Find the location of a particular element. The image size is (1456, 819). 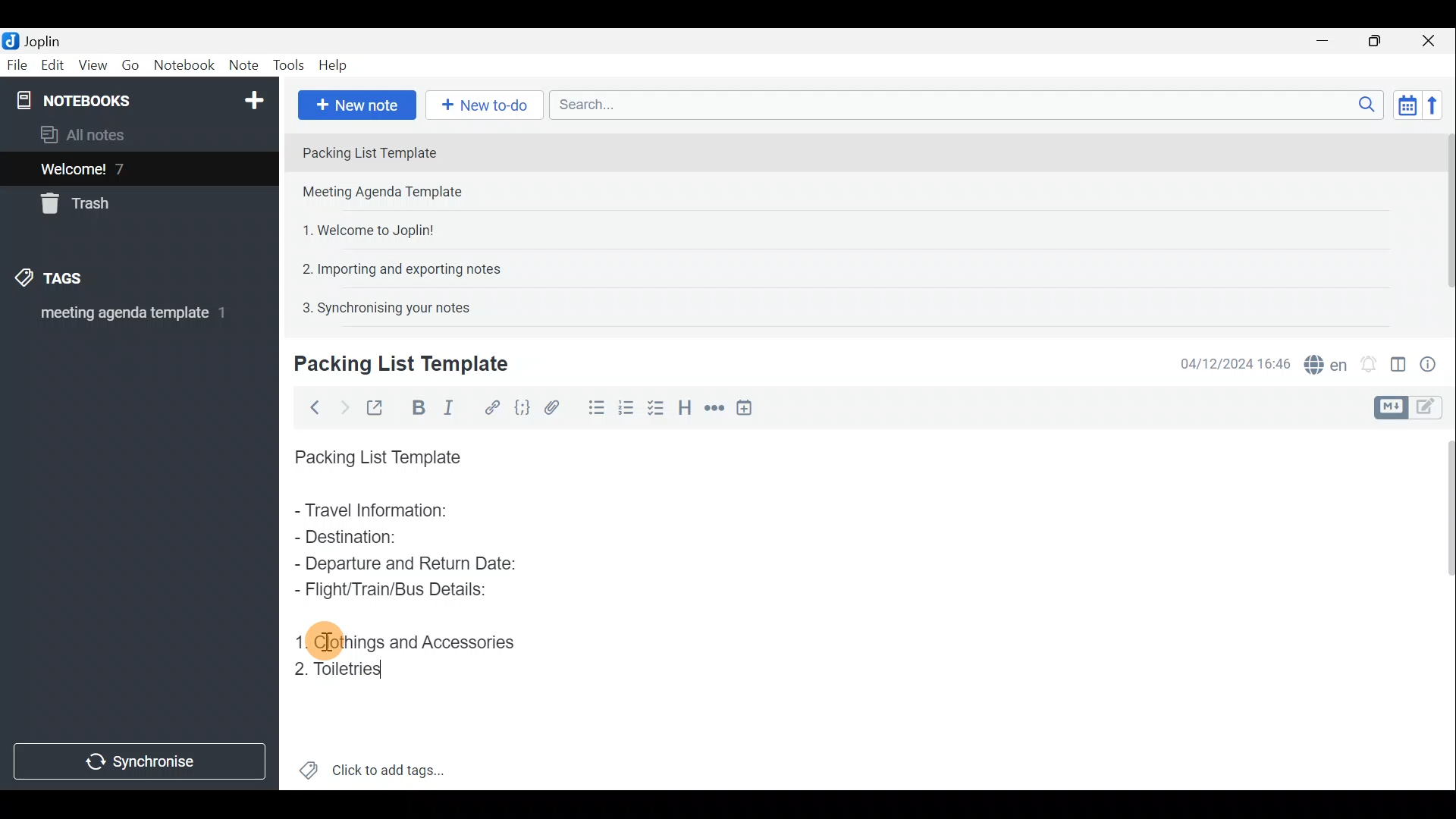

Trash is located at coordinates (81, 206).